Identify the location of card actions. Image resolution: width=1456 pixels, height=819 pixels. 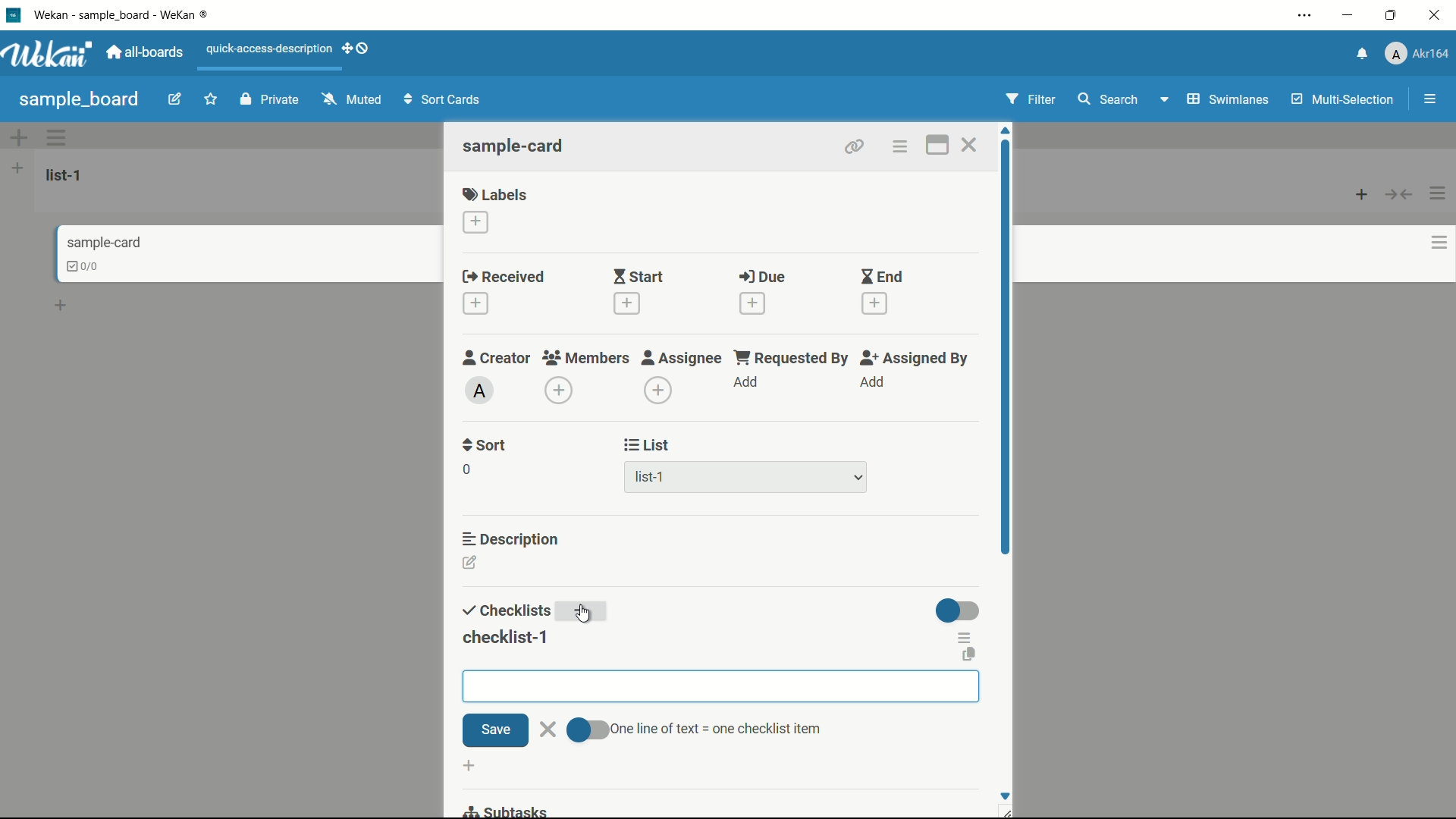
(899, 147).